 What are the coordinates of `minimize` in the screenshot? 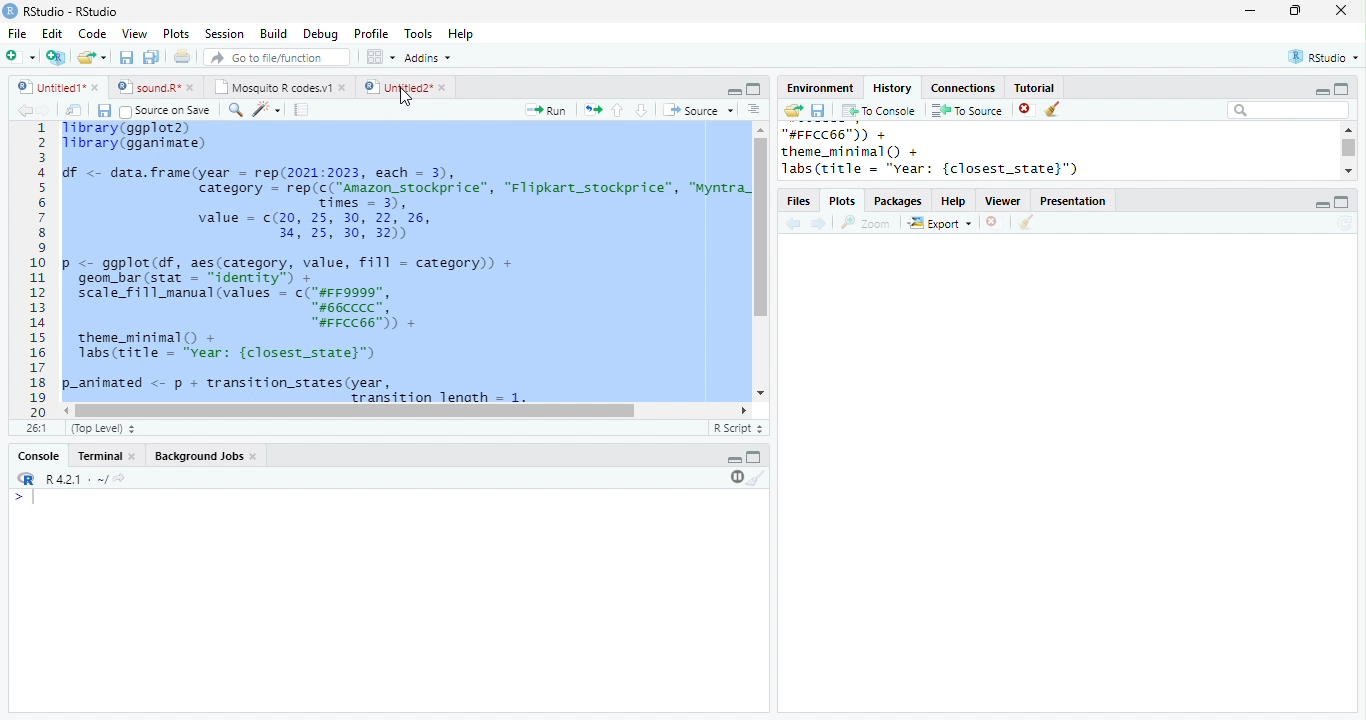 It's located at (1321, 91).